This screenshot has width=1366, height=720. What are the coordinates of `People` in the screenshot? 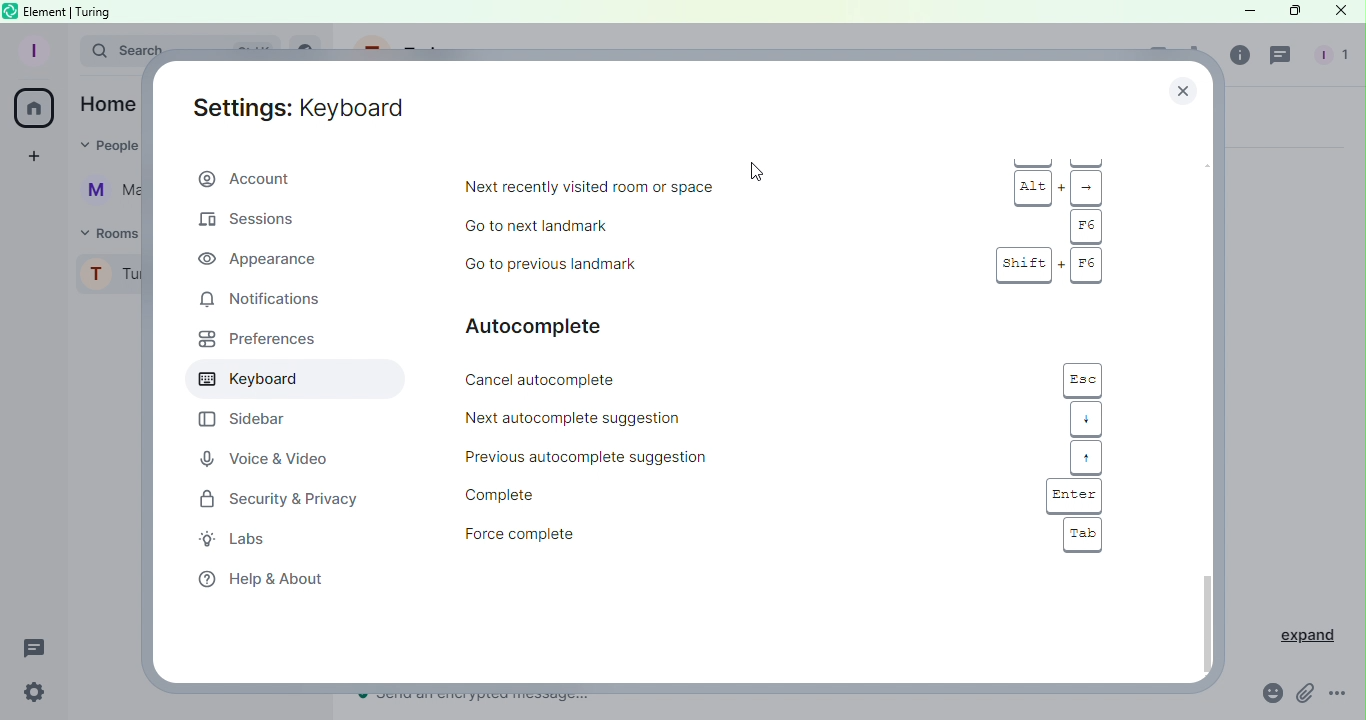 It's located at (1329, 57).